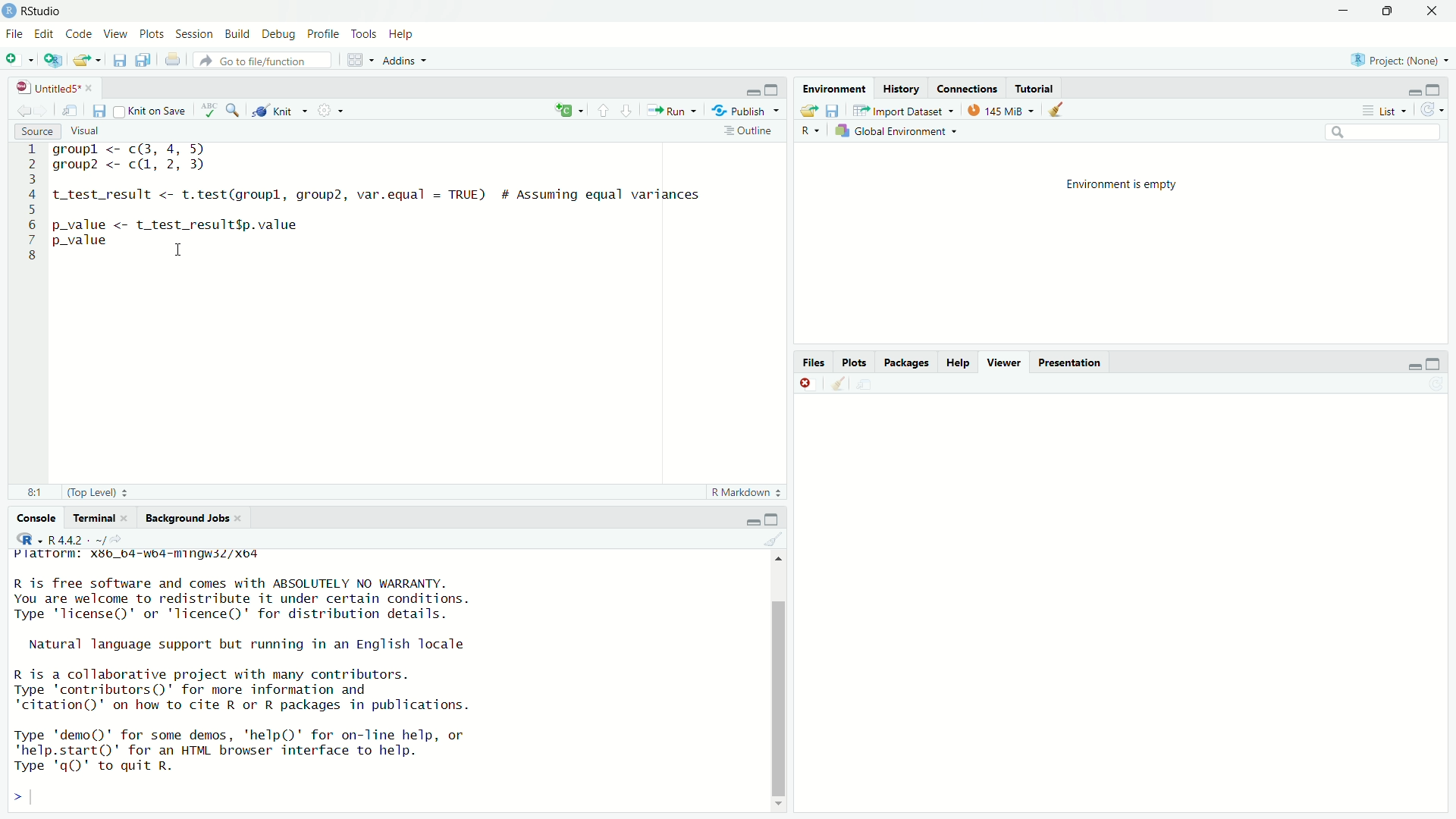 The height and width of the screenshot is (819, 1456). Describe the element at coordinates (668, 109) in the screenshot. I see `Run ` at that location.